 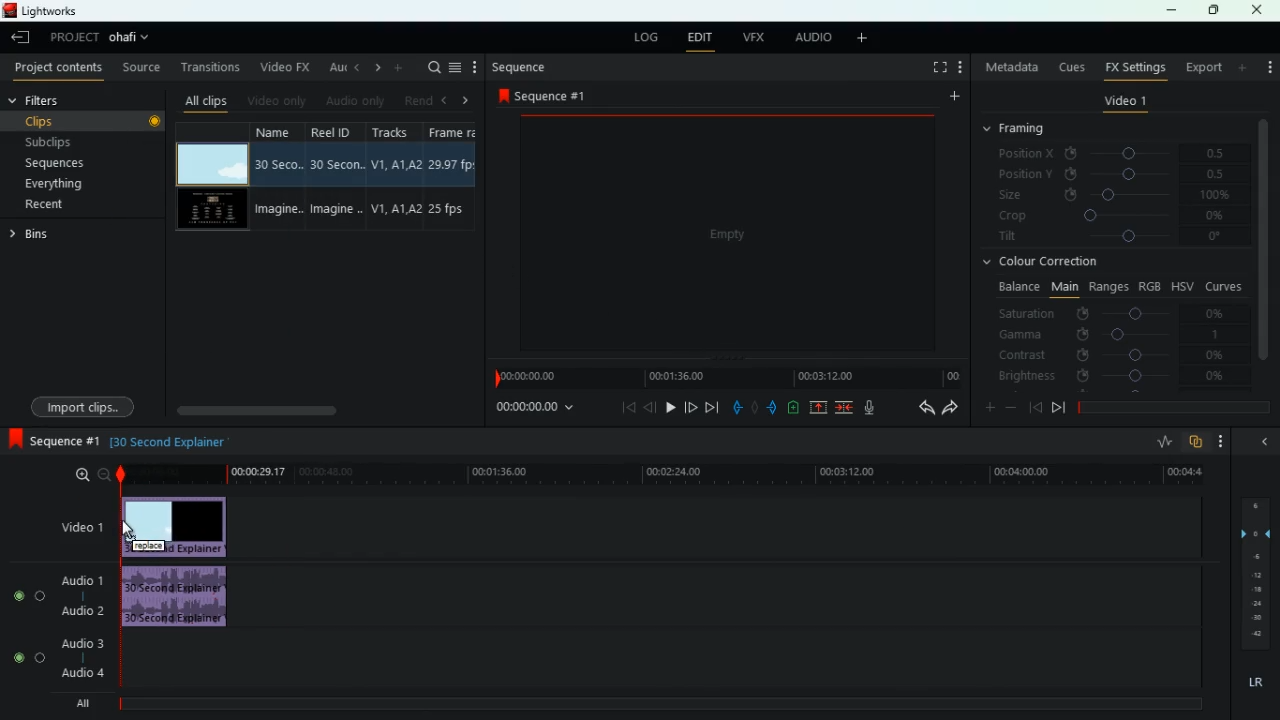 What do you see at coordinates (1116, 313) in the screenshot?
I see `saturation` at bounding box center [1116, 313].